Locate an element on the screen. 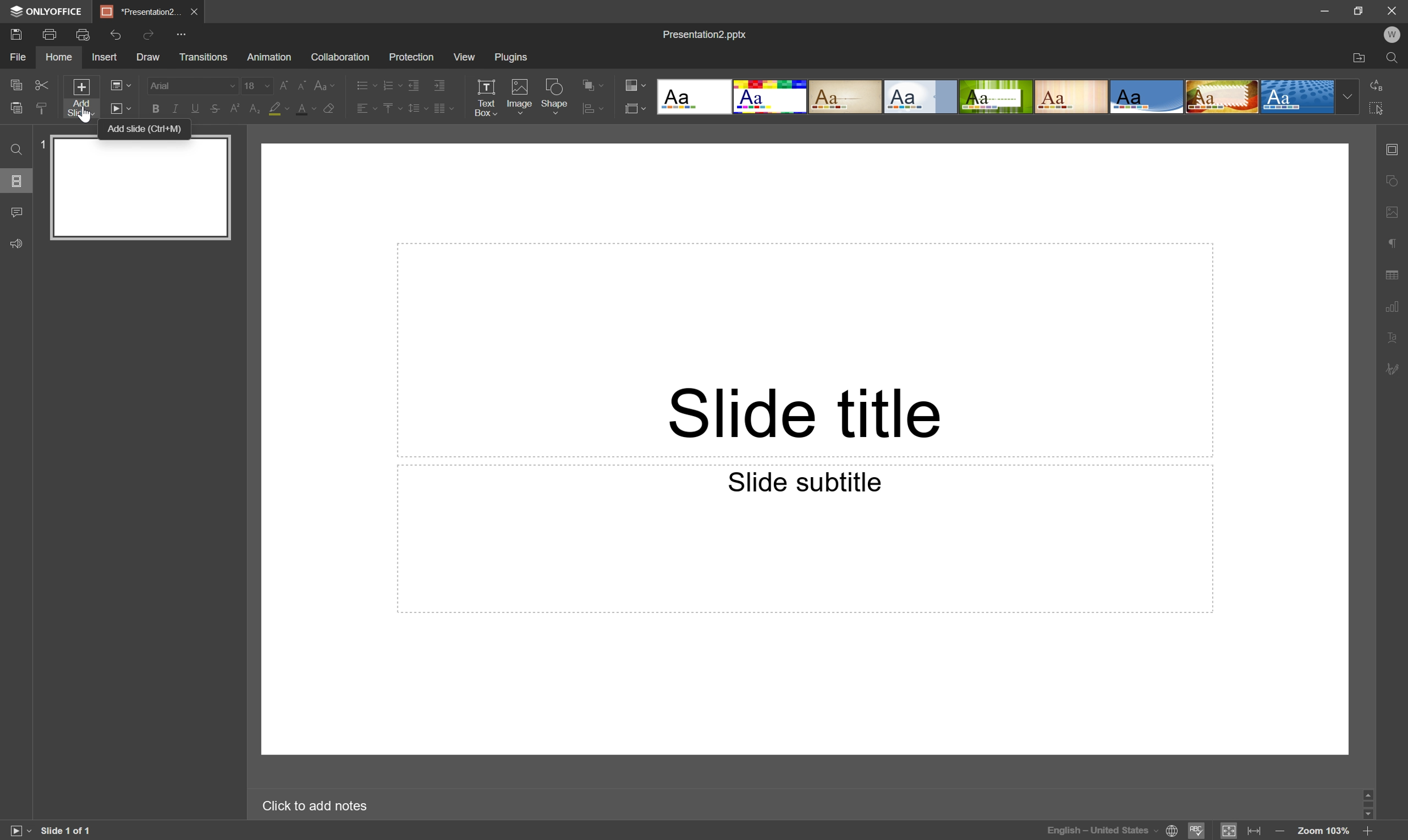  Arrange shape is located at coordinates (596, 108).